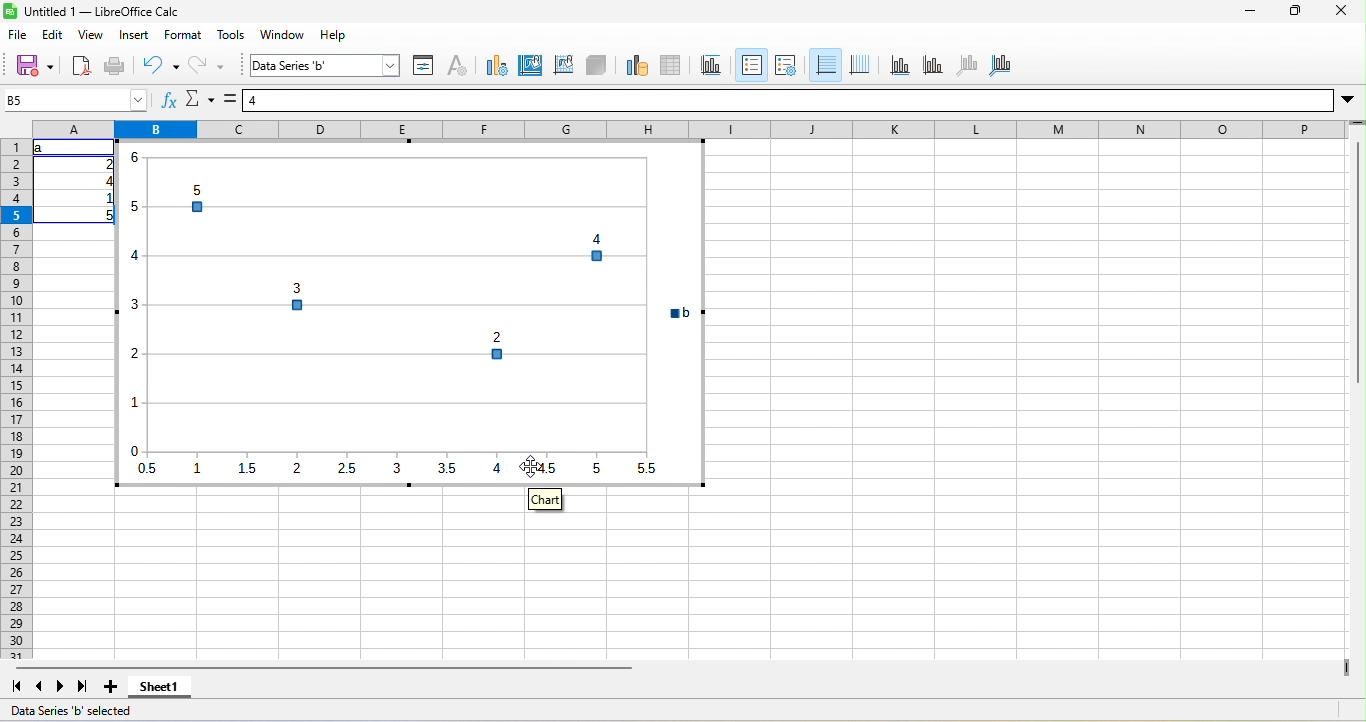 This screenshot has height=722, width=1366. What do you see at coordinates (531, 466) in the screenshot?
I see `cursor` at bounding box center [531, 466].